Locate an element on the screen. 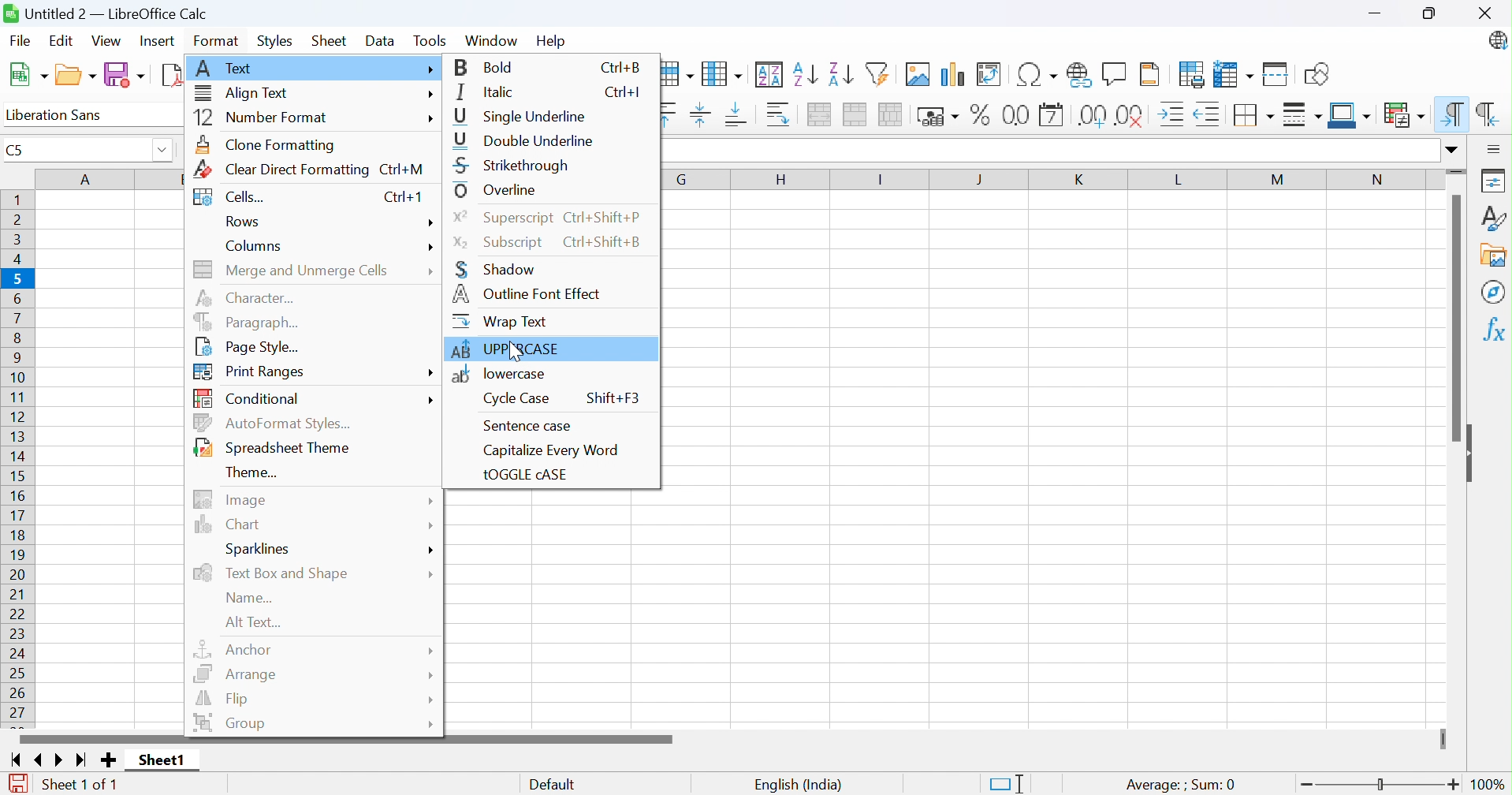  Strikethrough is located at coordinates (516, 166).